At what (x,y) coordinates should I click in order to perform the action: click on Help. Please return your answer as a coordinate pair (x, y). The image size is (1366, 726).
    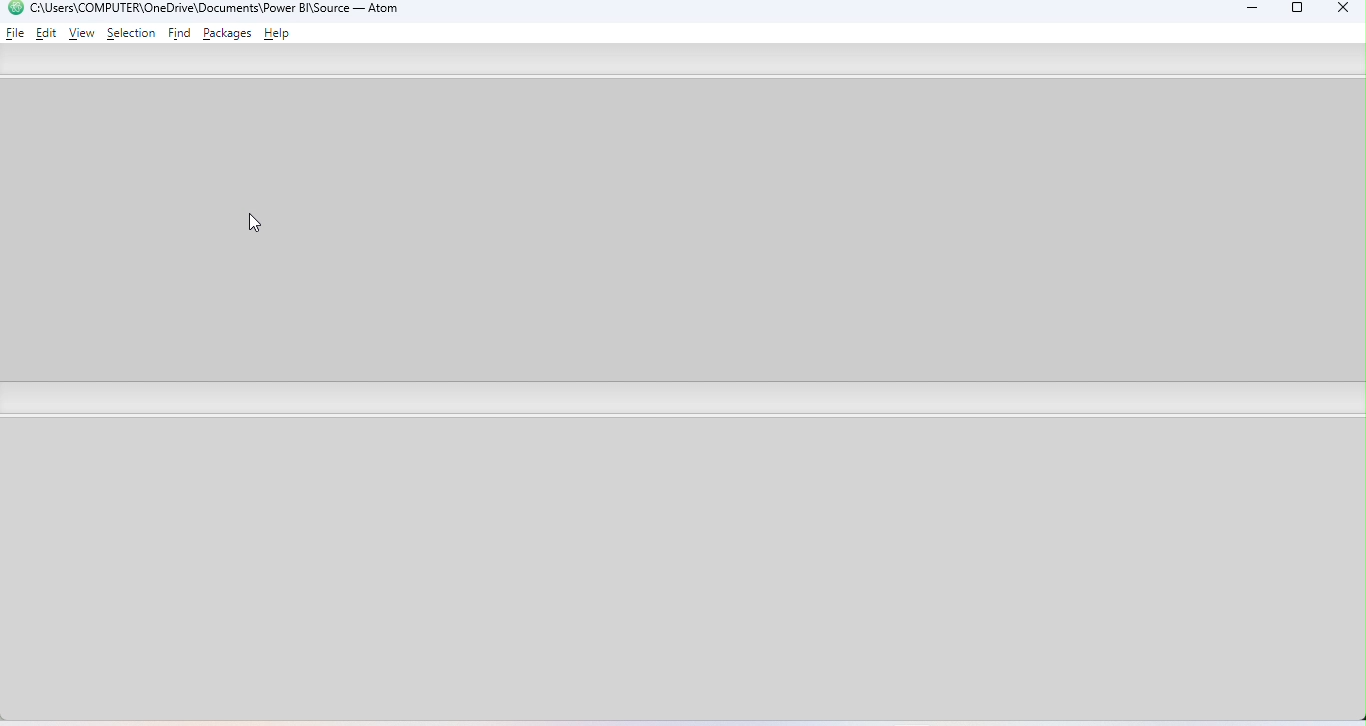
    Looking at the image, I should click on (280, 35).